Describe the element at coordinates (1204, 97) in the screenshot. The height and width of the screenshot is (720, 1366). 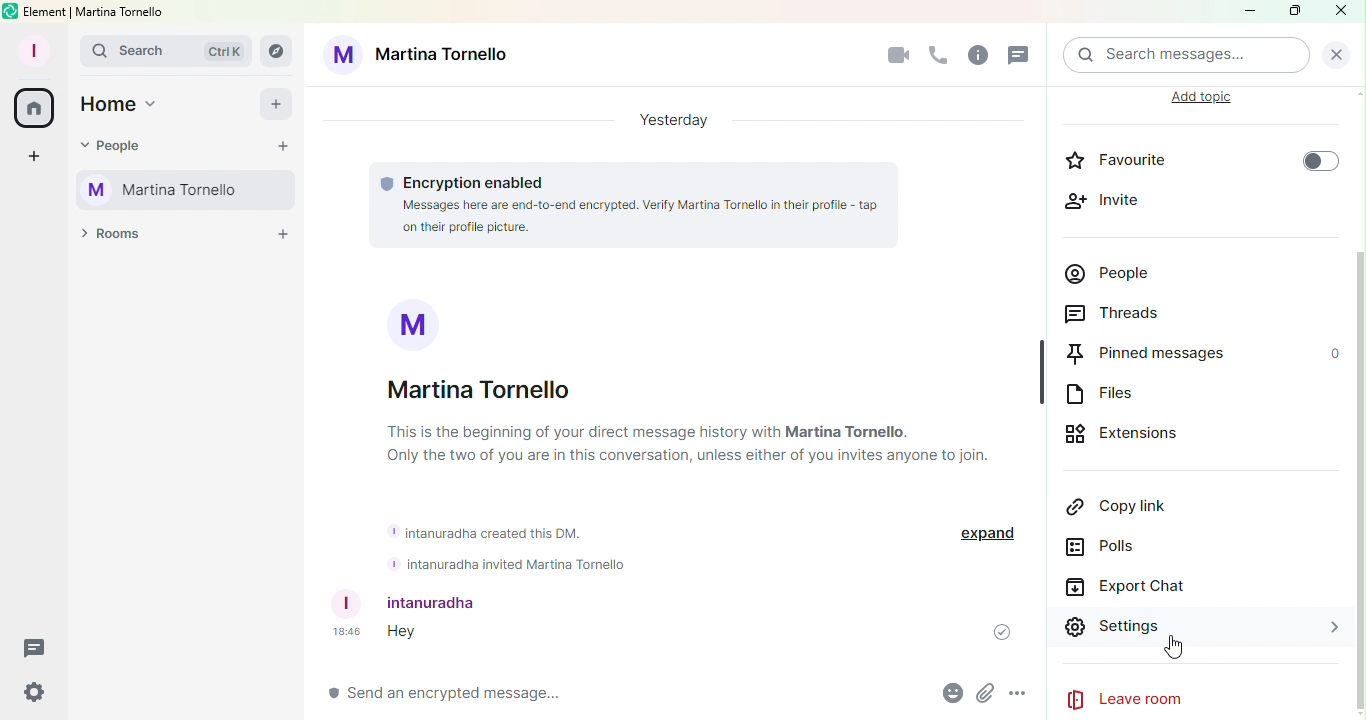
I see `Add Topic` at that location.